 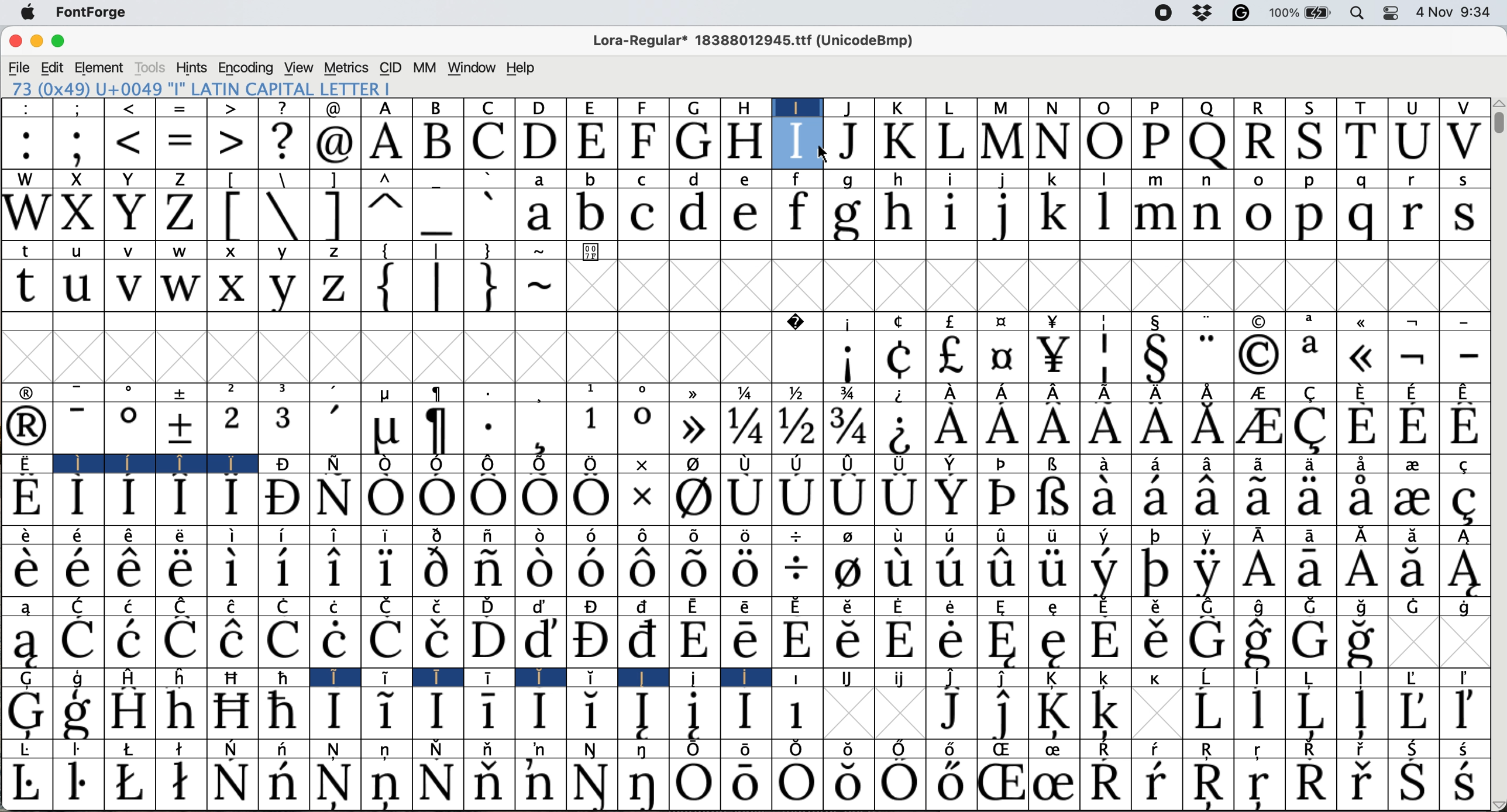 What do you see at coordinates (641, 638) in the screenshot?
I see `Symbol` at bounding box center [641, 638].